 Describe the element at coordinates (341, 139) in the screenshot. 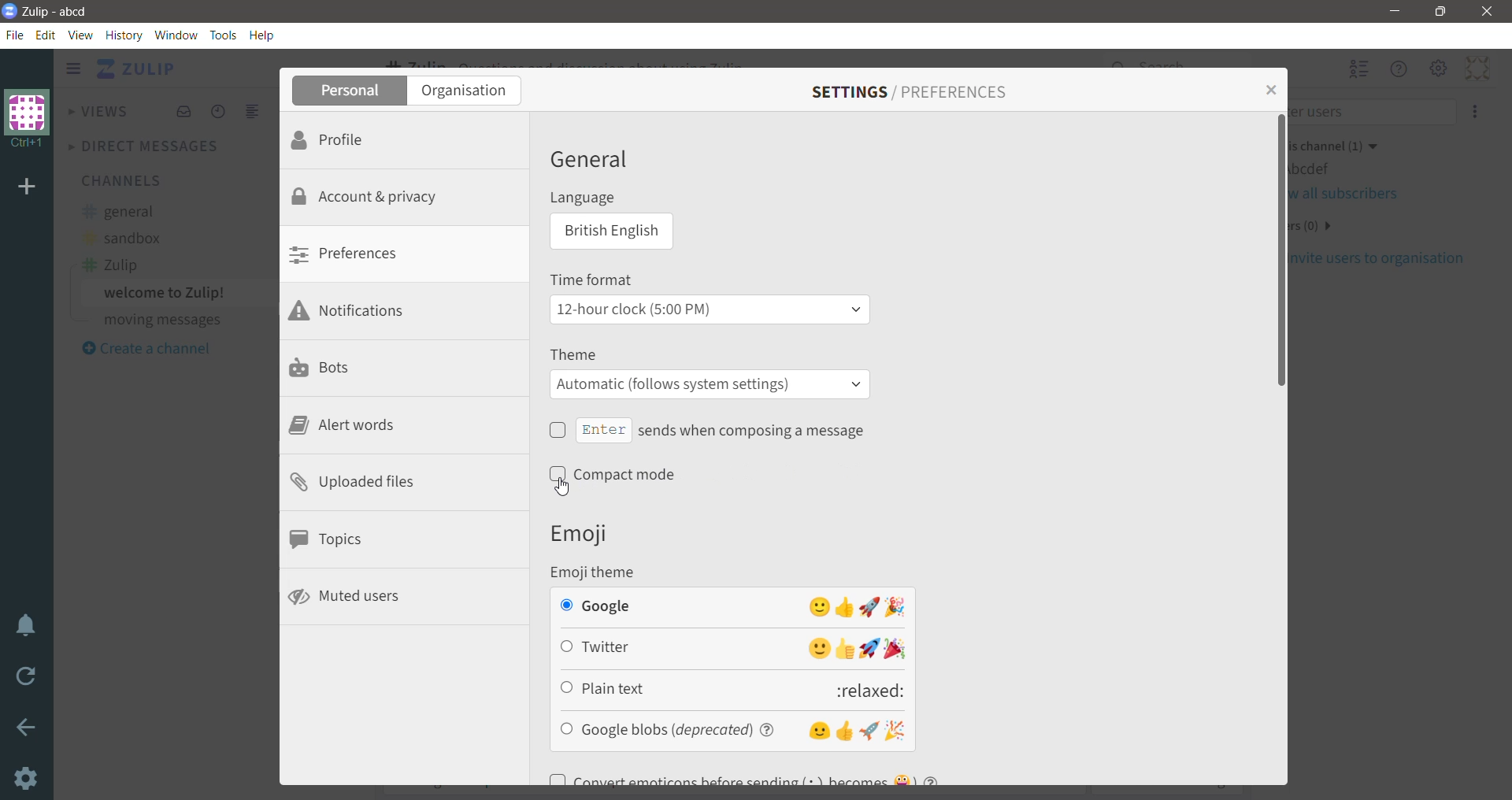

I see `Profile` at that location.